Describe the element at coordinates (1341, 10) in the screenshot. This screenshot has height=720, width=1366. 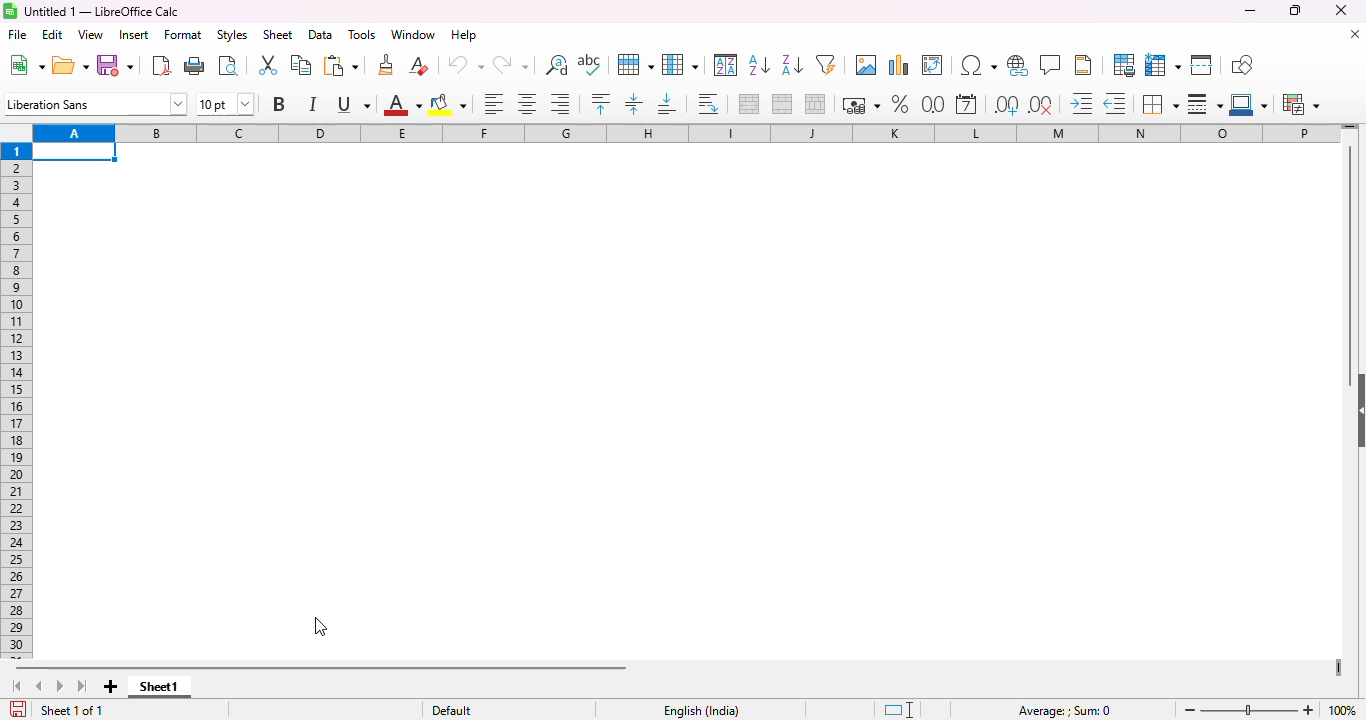
I see `close` at that location.